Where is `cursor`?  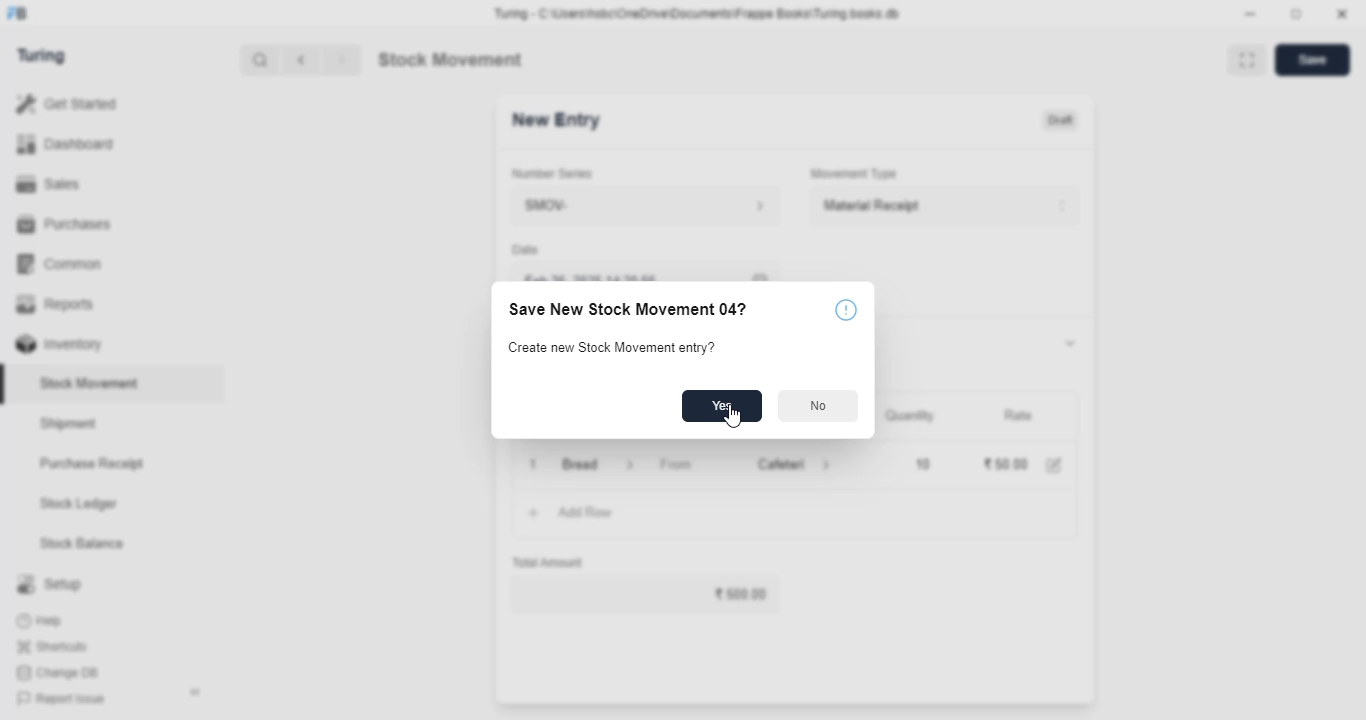 cursor is located at coordinates (732, 417).